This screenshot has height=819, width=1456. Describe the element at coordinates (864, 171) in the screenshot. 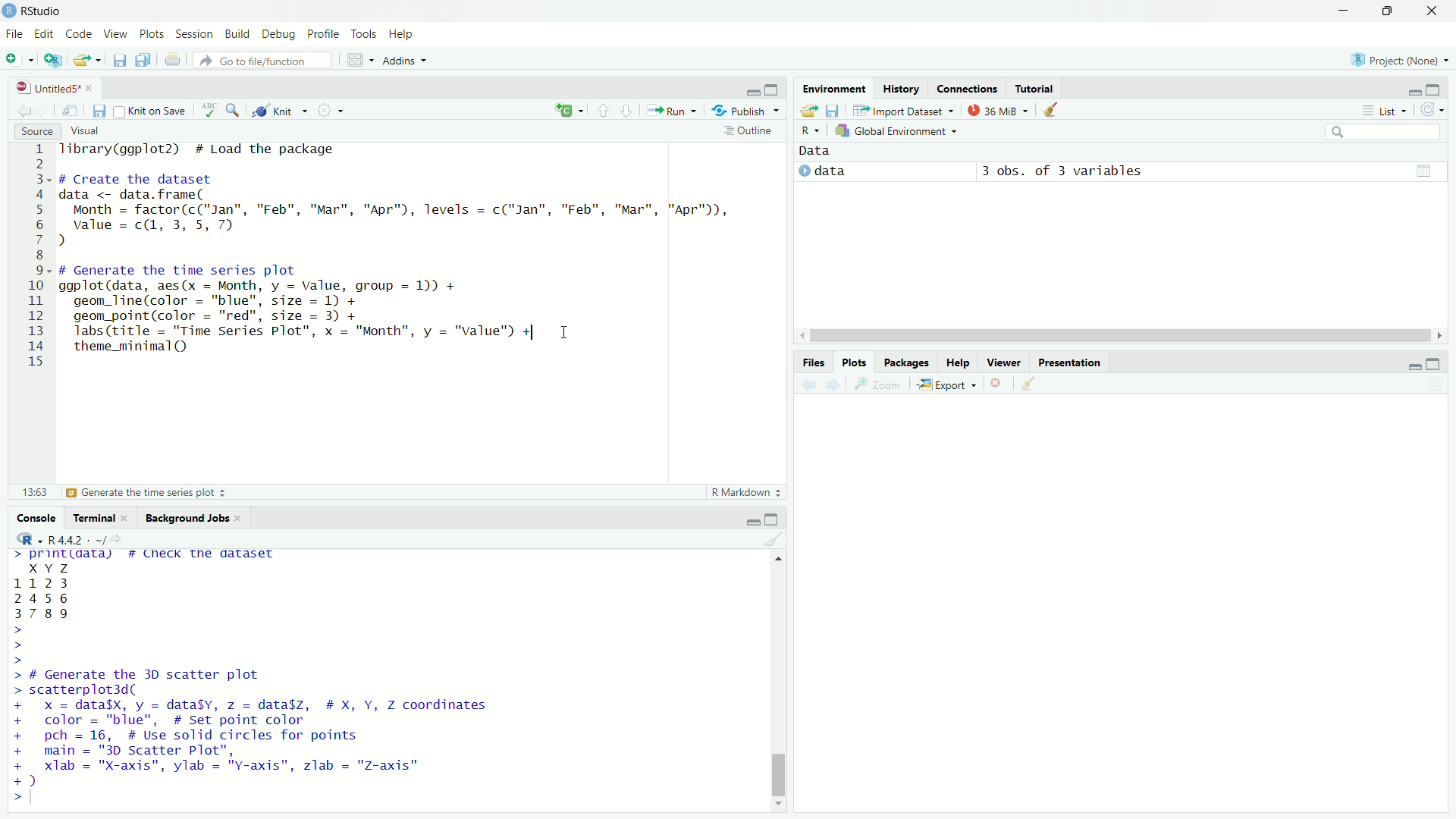

I see `data` at that location.